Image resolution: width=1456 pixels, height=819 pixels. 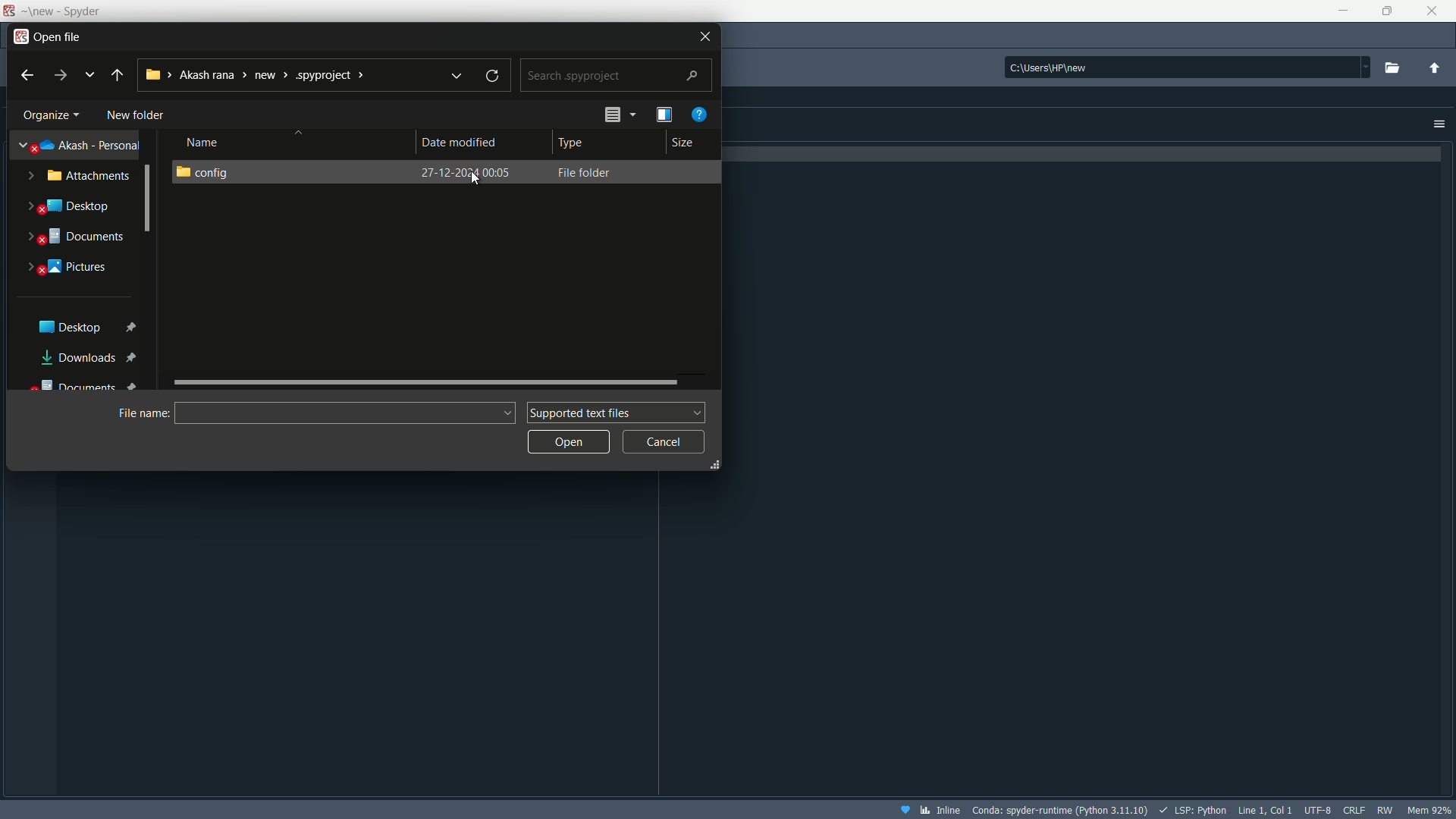 I want to click on cancel, so click(x=667, y=441).